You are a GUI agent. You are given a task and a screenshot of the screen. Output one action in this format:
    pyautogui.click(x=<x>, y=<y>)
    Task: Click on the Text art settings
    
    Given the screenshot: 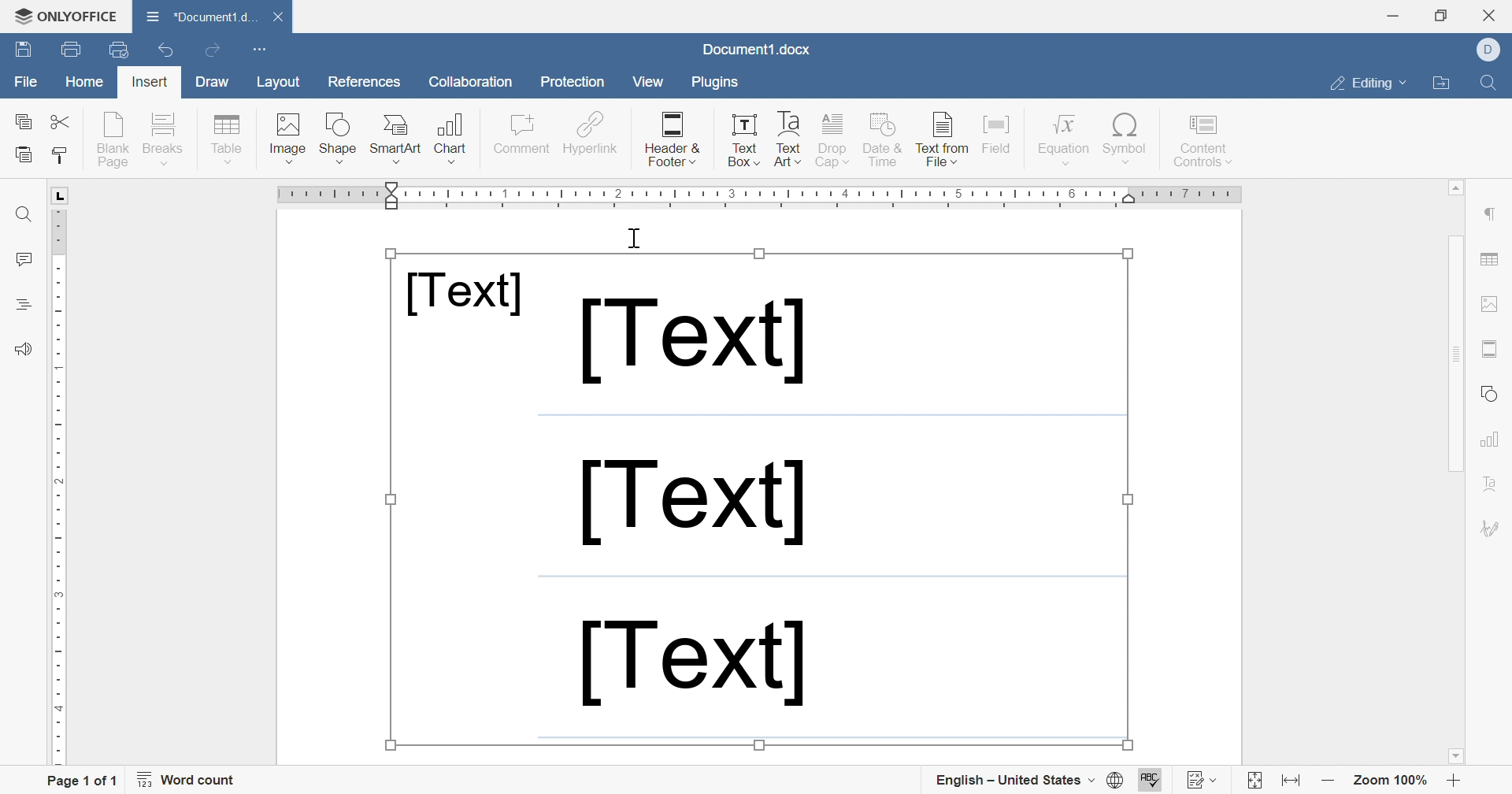 What is the action you would take?
    pyautogui.click(x=1491, y=487)
    